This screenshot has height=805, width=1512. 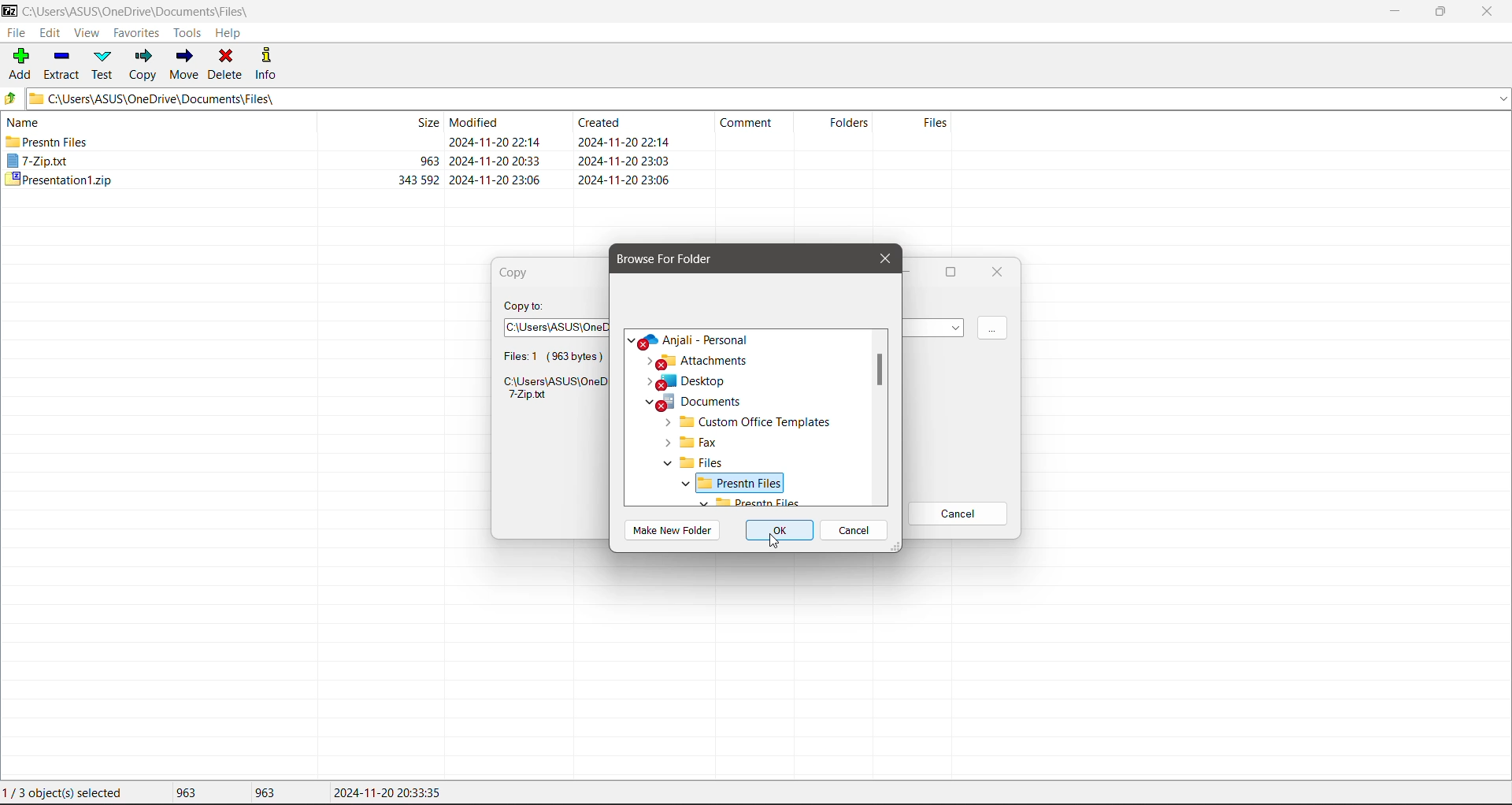 What do you see at coordinates (691, 463) in the screenshot?
I see `Files` at bounding box center [691, 463].